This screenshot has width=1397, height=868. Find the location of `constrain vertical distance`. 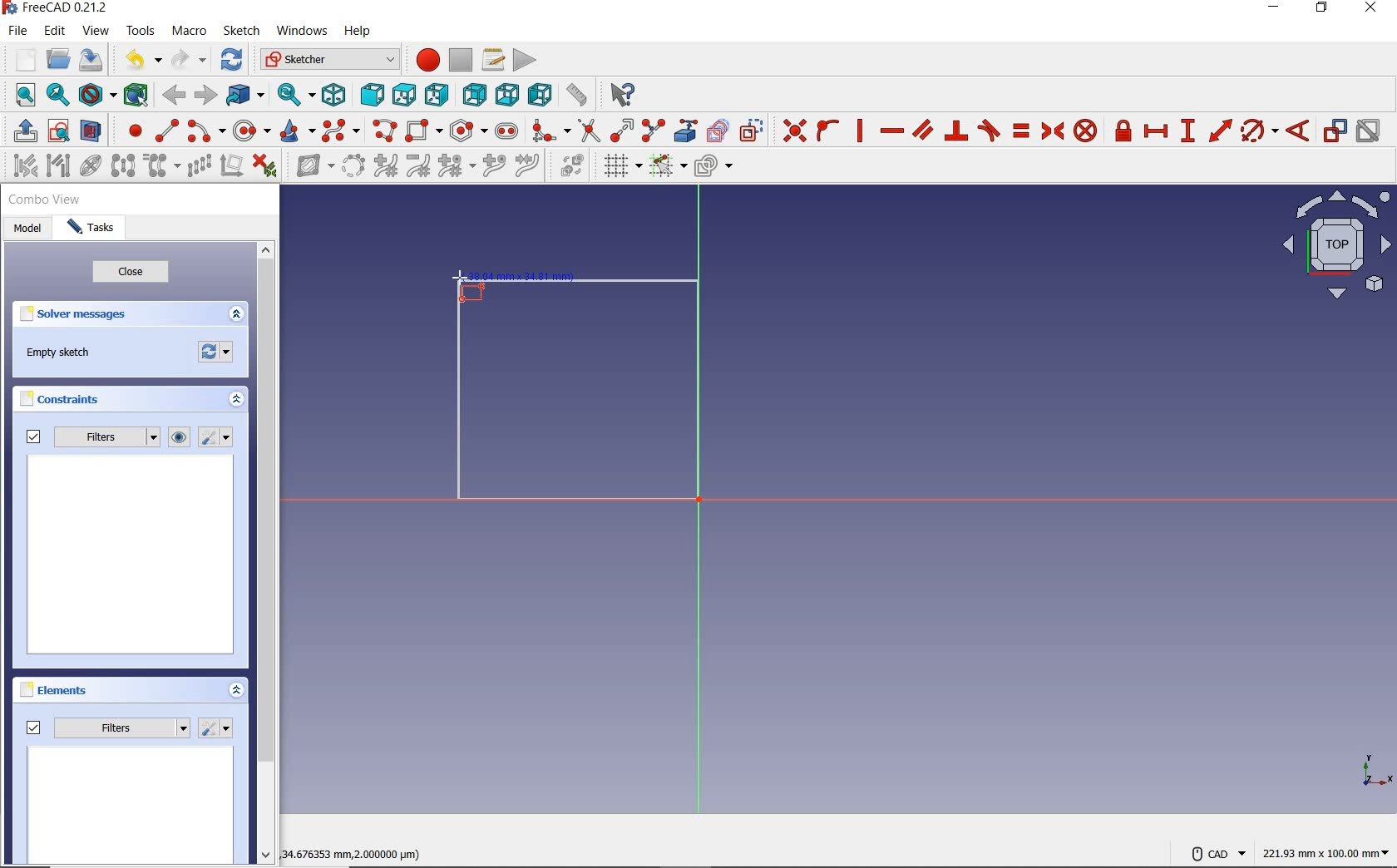

constrain vertical distance is located at coordinates (1188, 131).